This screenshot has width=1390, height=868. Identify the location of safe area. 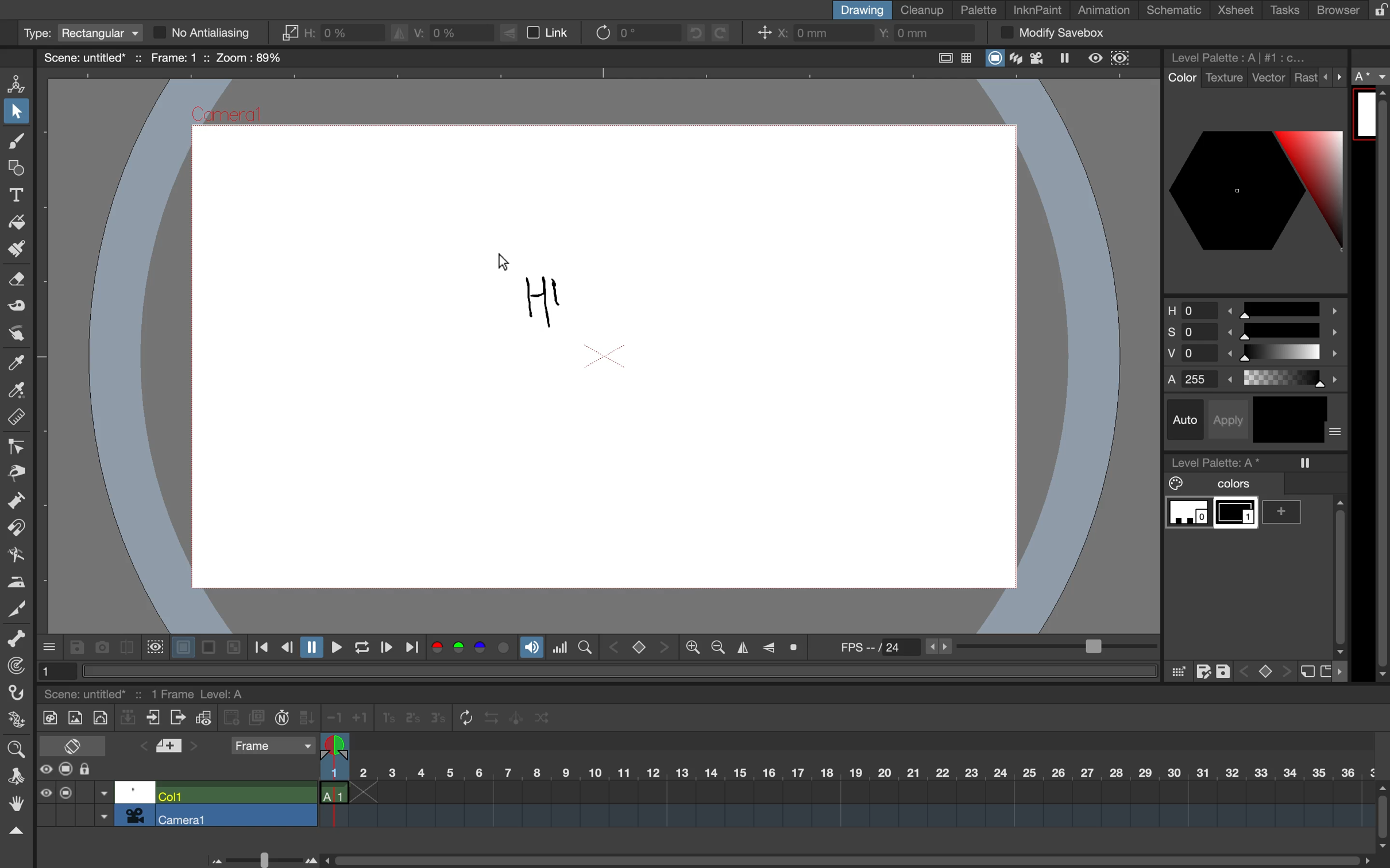
(942, 56).